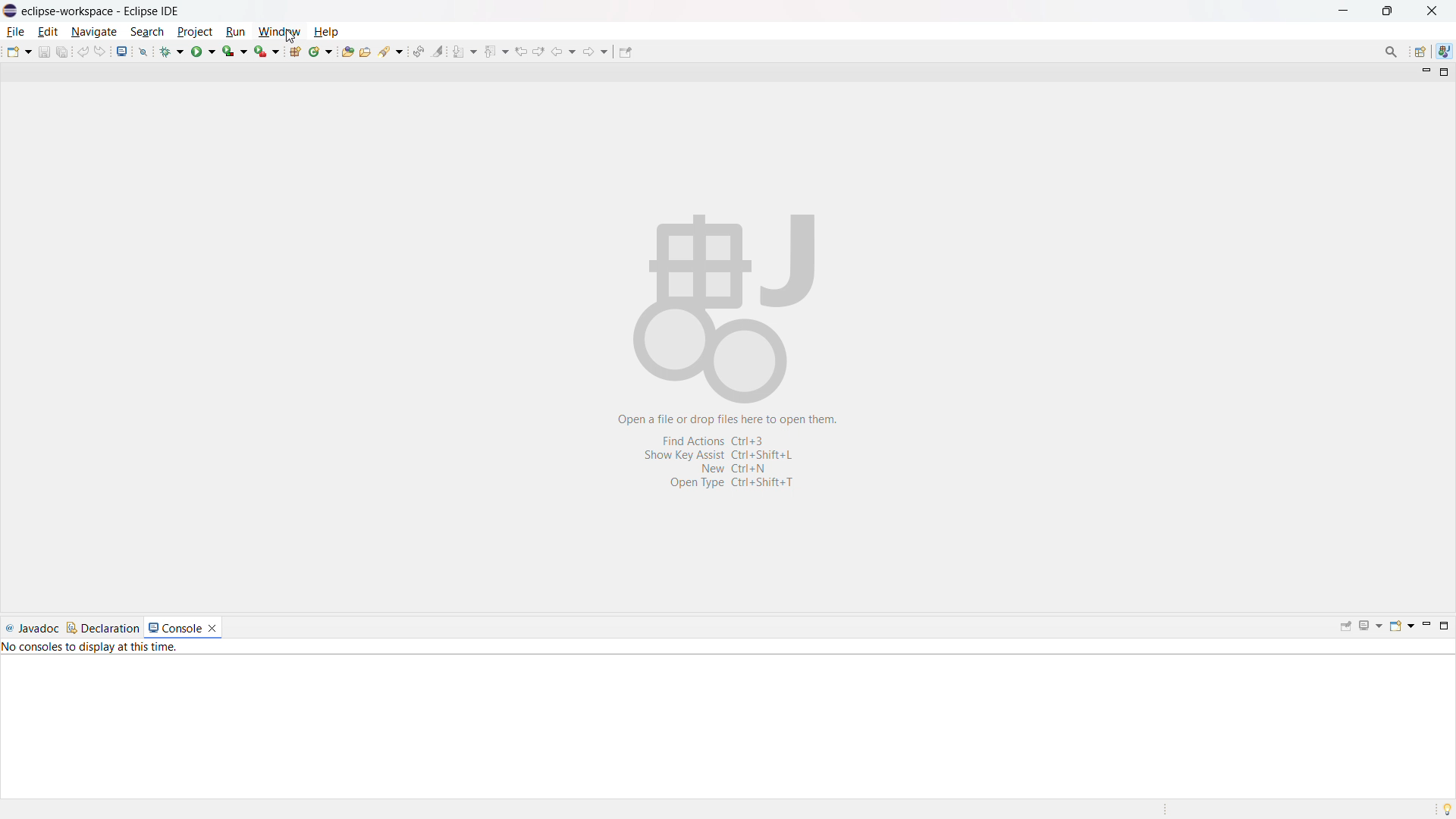 This screenshot has width=1456, height=819. I want to click on open task, so click(366, 50).